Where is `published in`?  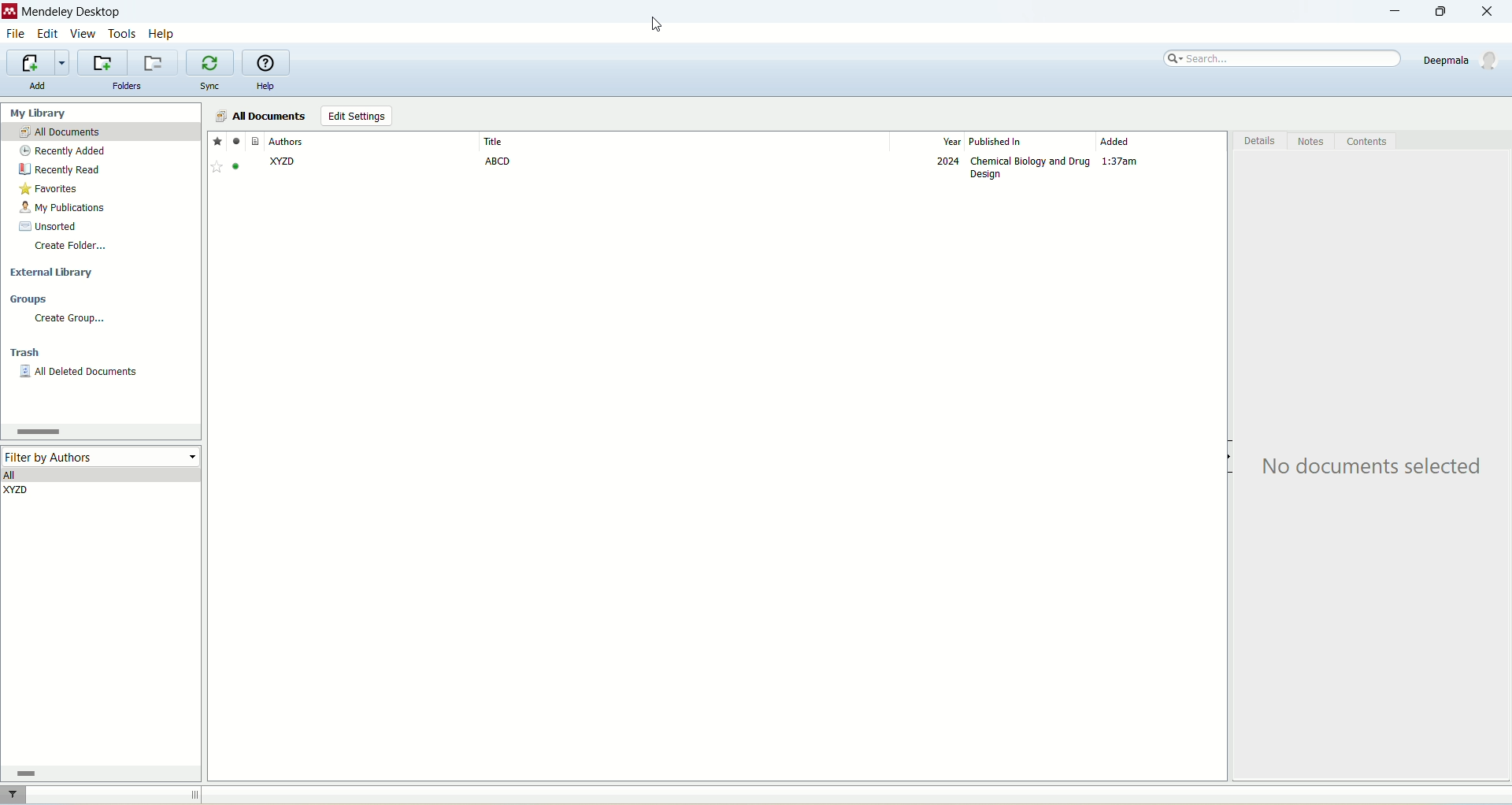 published in is located at coordinates (1024, 142).